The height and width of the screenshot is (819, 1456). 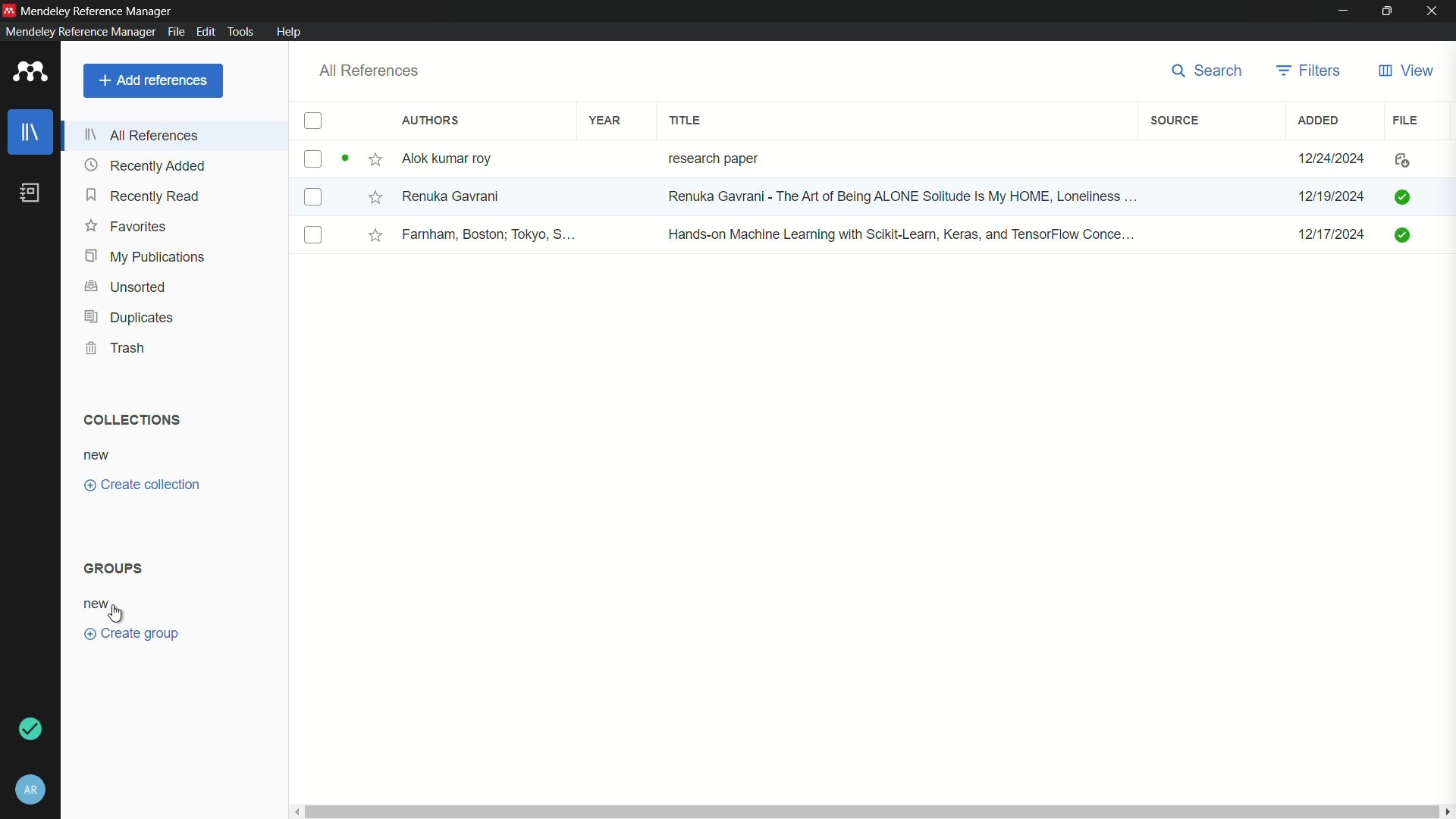 What do you see at coordinates (27, 73) in the screenshot?
I see `app icon` at bounding box center [27, 73].